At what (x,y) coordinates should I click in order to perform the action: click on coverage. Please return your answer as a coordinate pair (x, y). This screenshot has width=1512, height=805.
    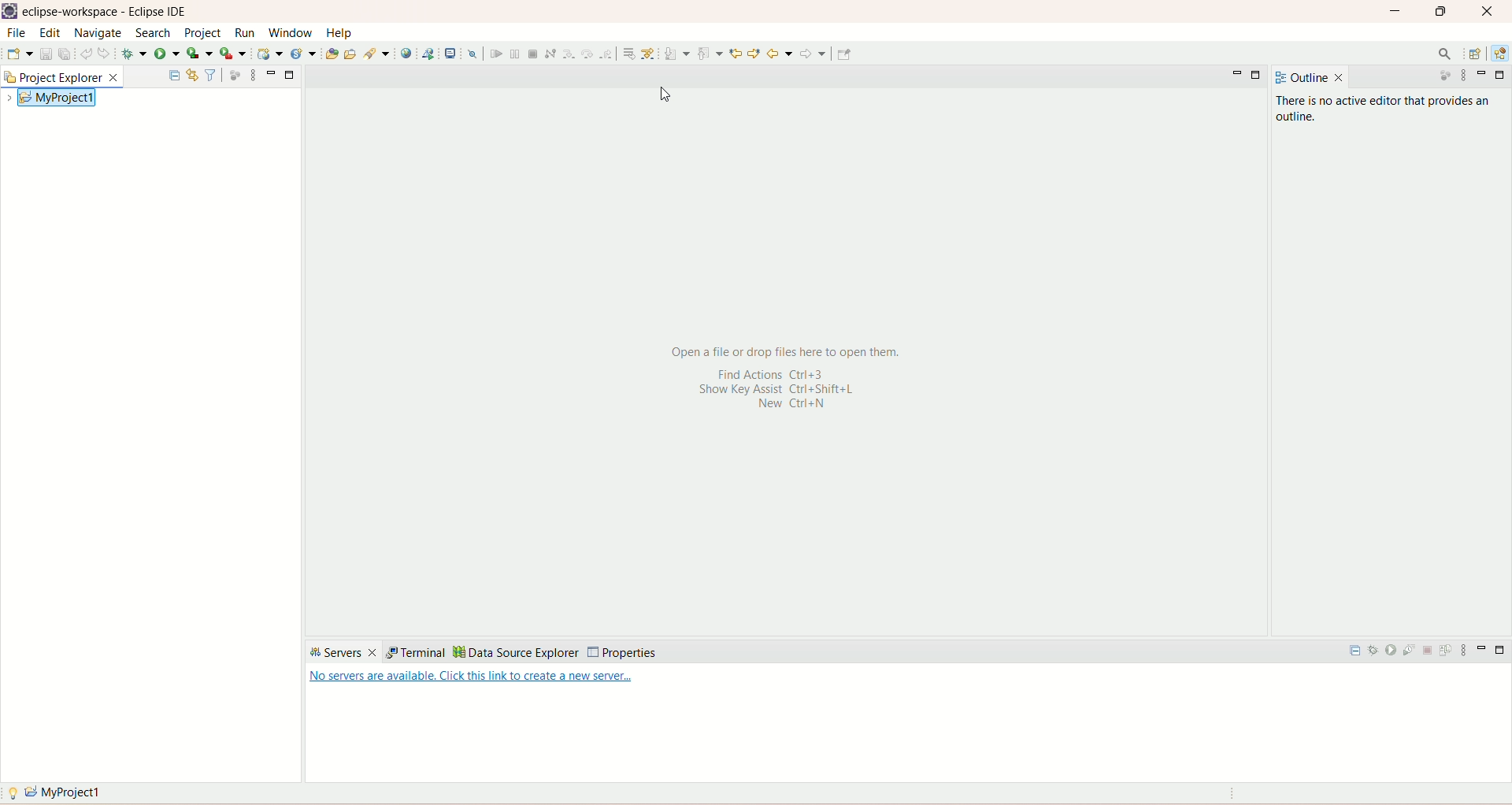
    Looking at the image, I should click on (199, 54).